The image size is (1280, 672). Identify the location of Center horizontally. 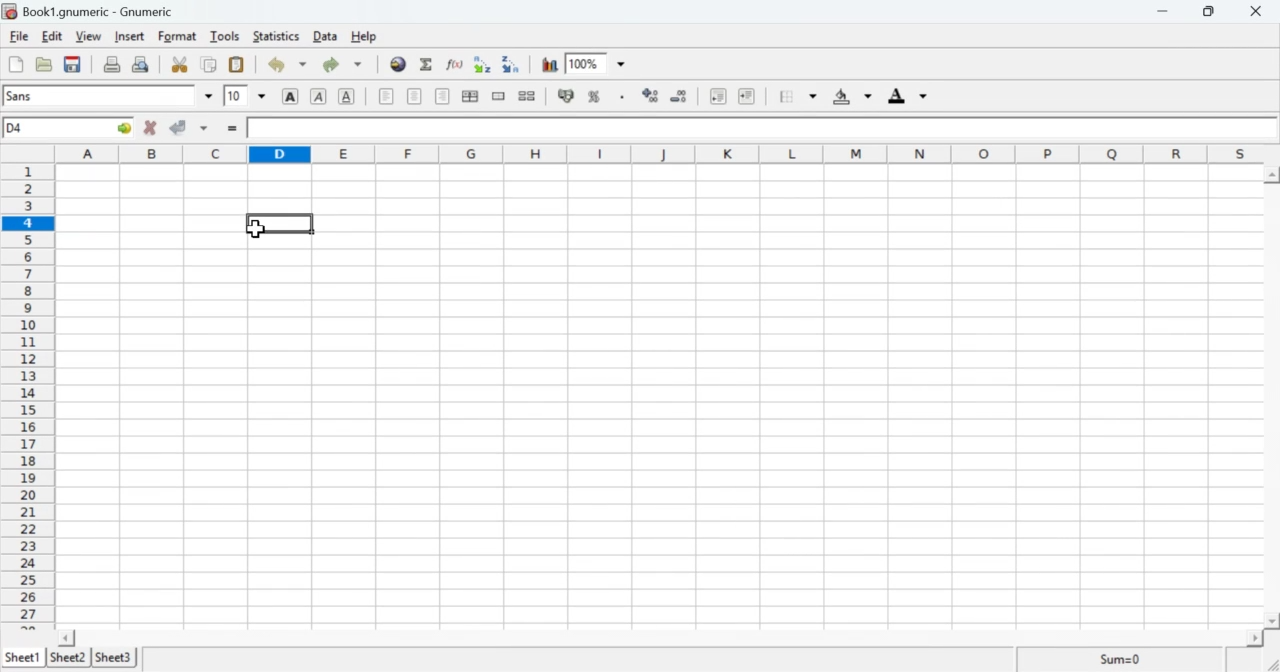
(442, 96).